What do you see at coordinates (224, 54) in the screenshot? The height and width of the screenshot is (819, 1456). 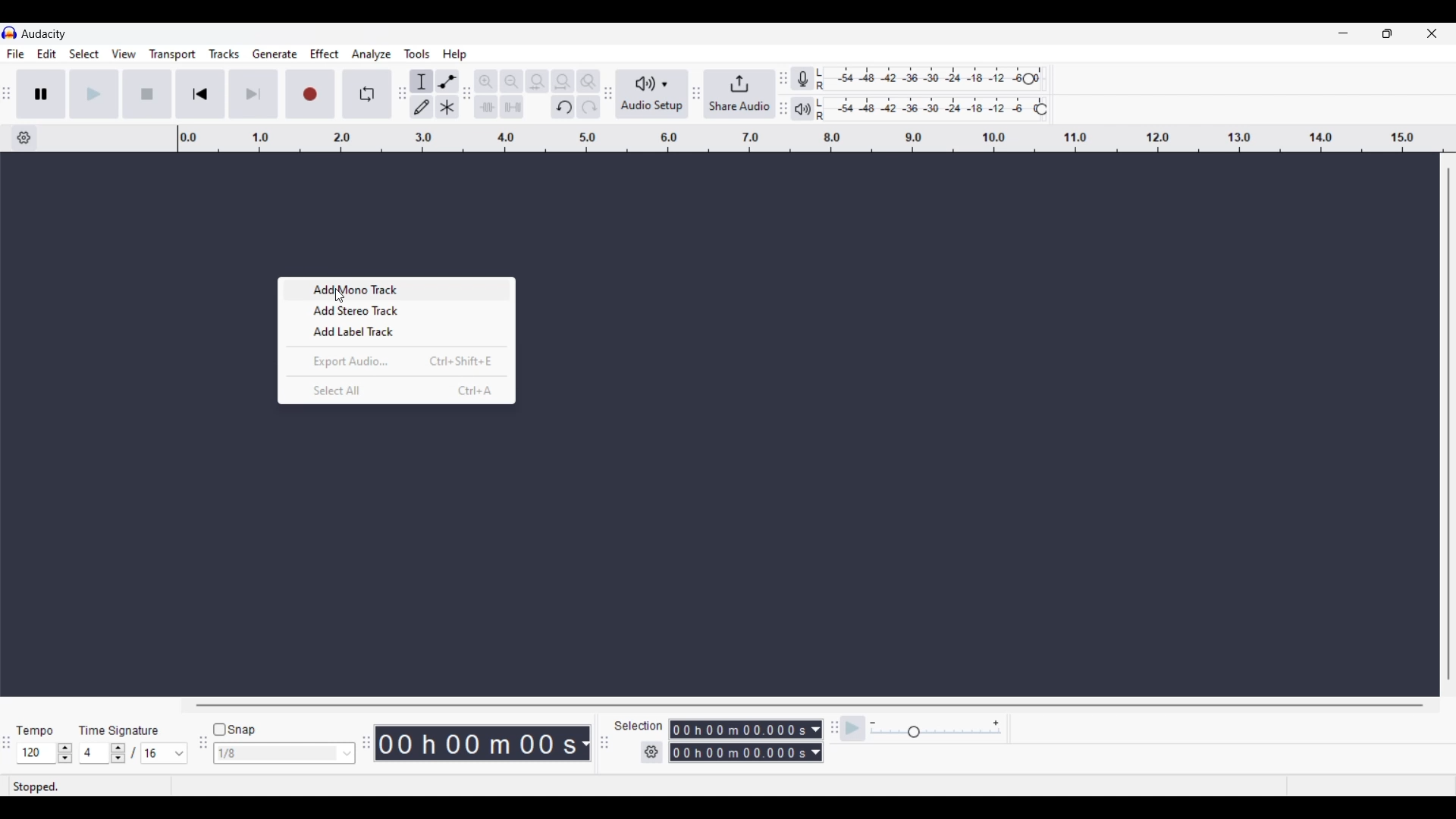 I see `Tracks menu` at bounding box center [224, 54].